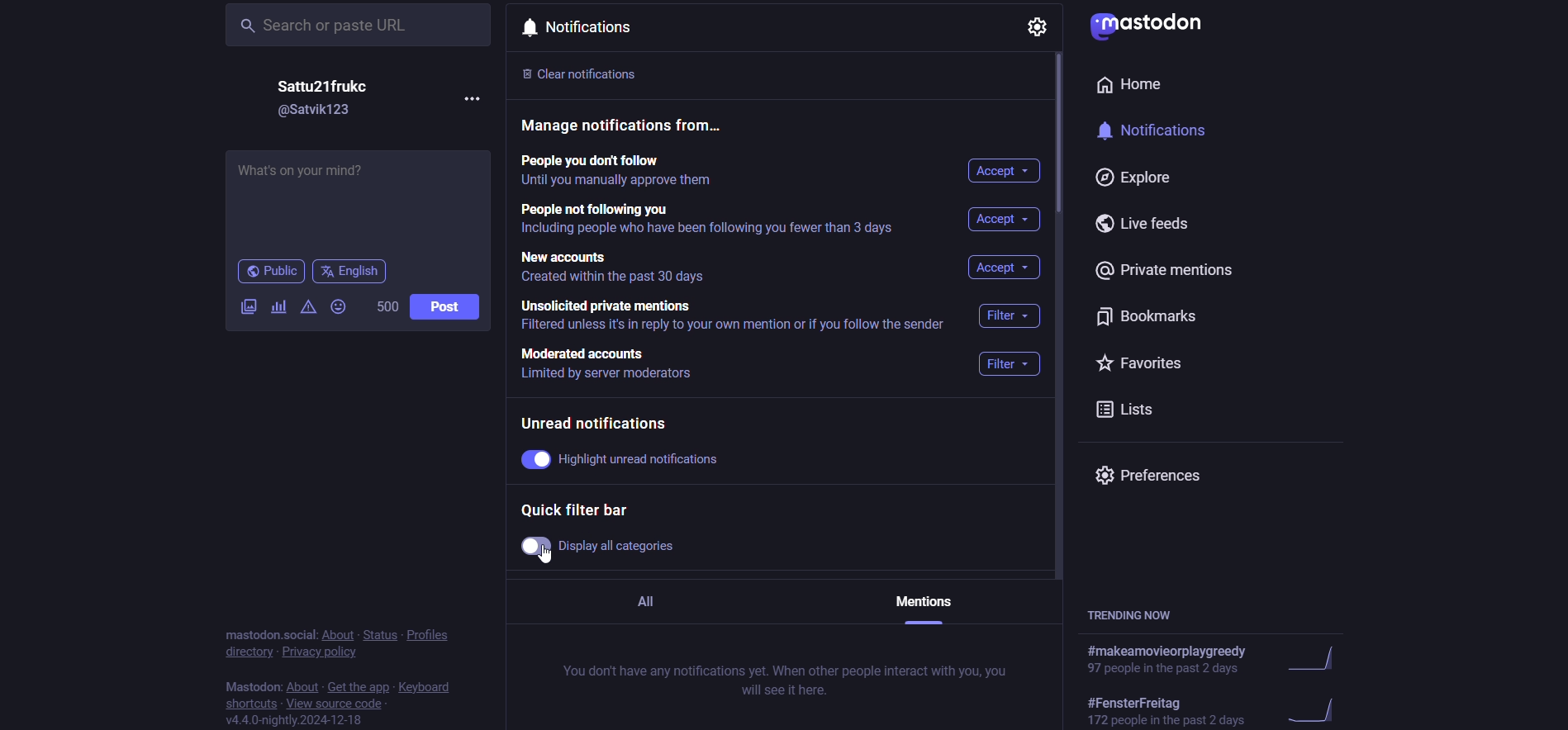 Image resolution: width=1568 pixels, height=730 pixels. I want to click on Filter, so click(1014, 315).